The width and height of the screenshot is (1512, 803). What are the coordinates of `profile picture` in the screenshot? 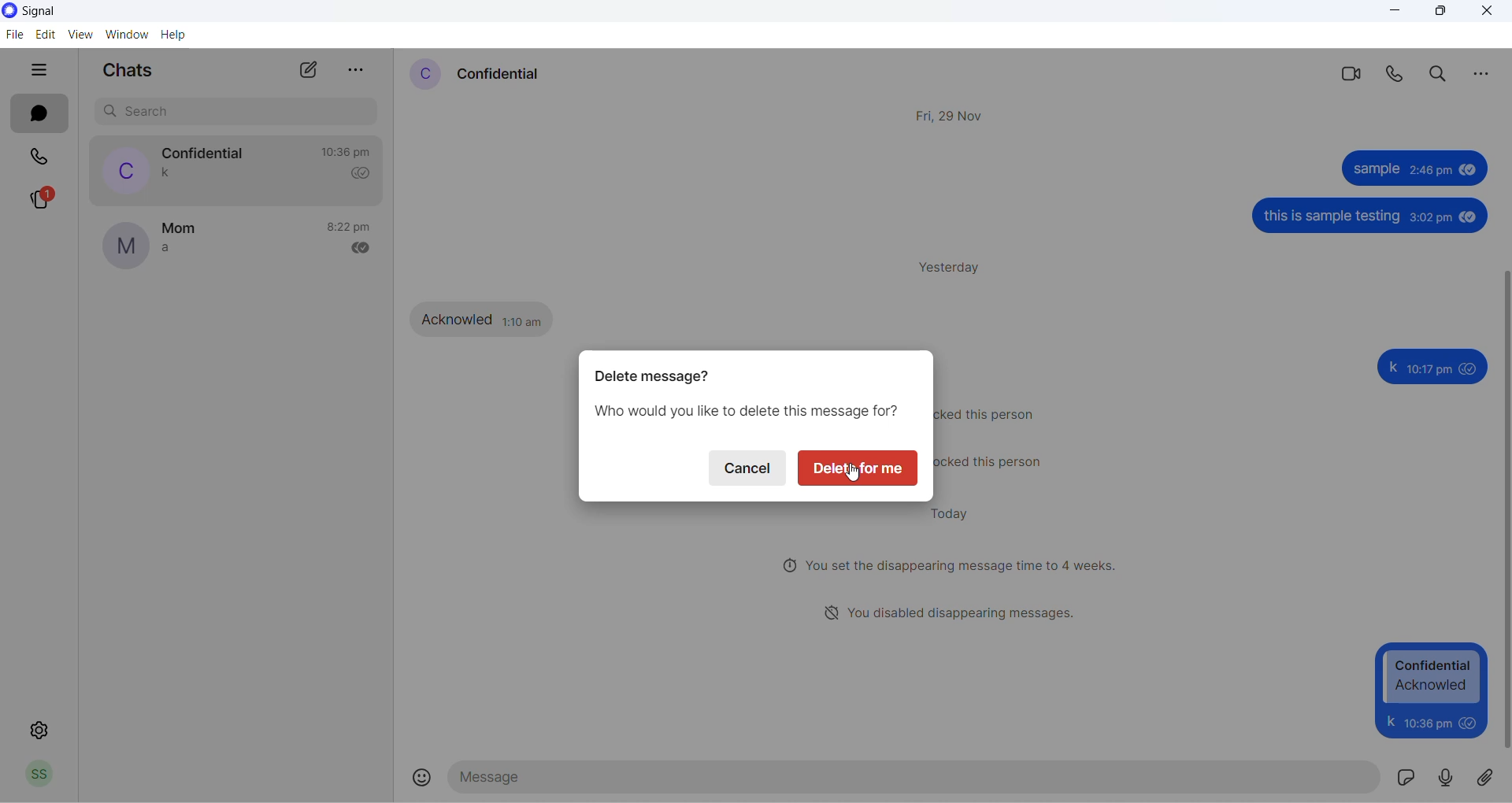 It's located at (421, 72).